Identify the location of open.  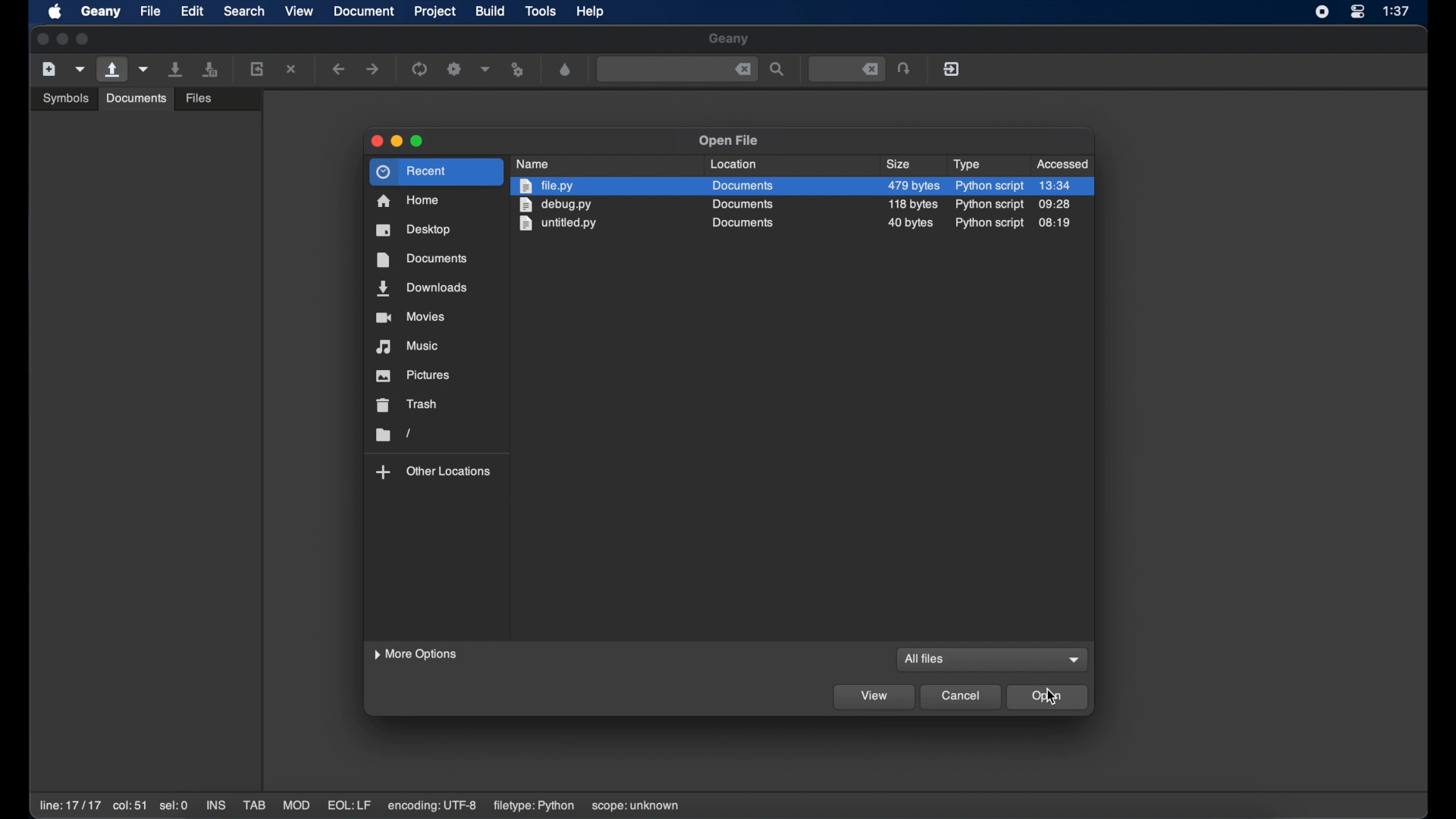
(1048, 697).